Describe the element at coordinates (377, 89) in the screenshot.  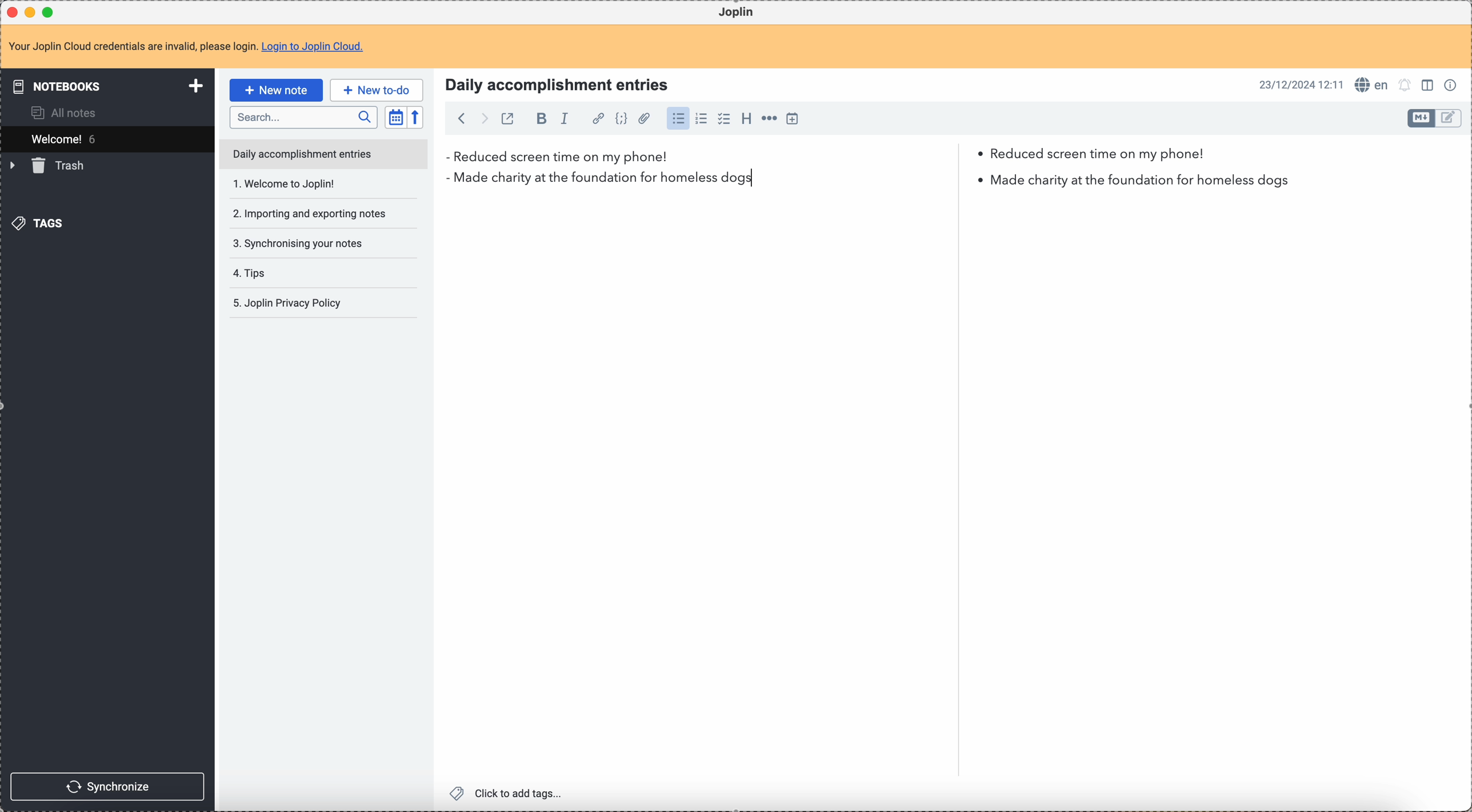
I see `new to-do` at that location.